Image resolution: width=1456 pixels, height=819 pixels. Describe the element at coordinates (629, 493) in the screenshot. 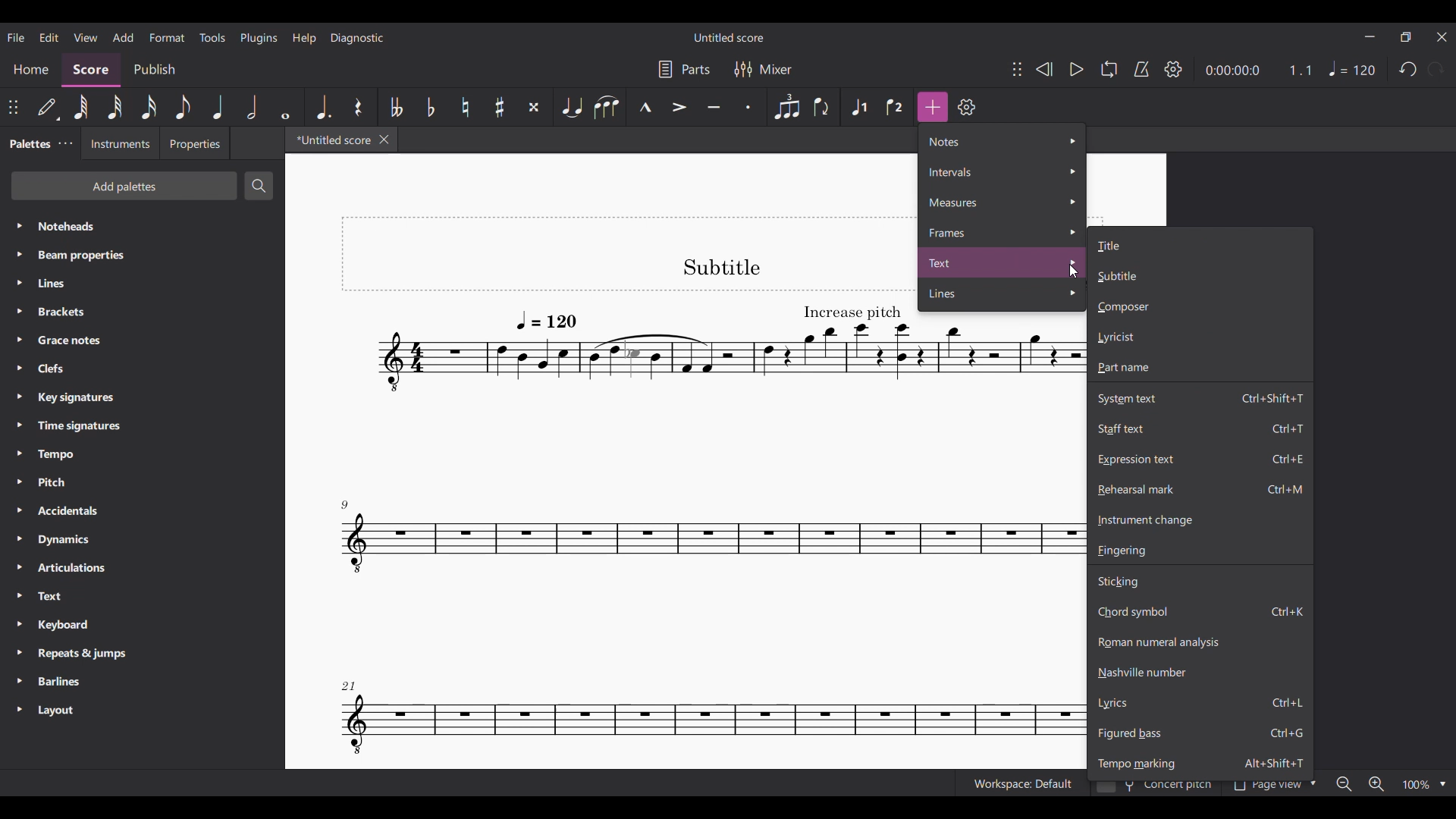

I see `Current score` at that location.